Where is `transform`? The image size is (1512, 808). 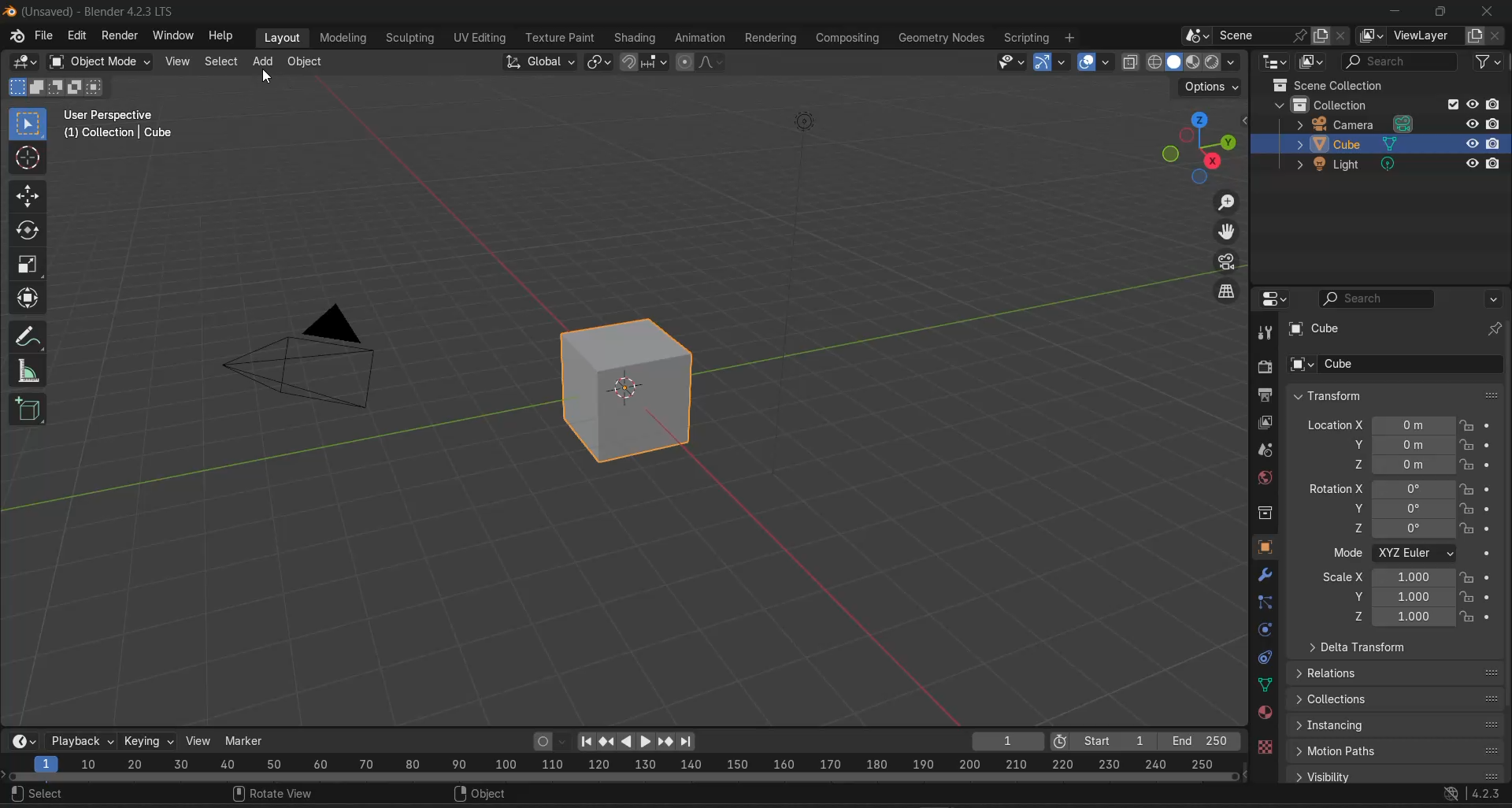 transform is located at coordinates (29, 299).